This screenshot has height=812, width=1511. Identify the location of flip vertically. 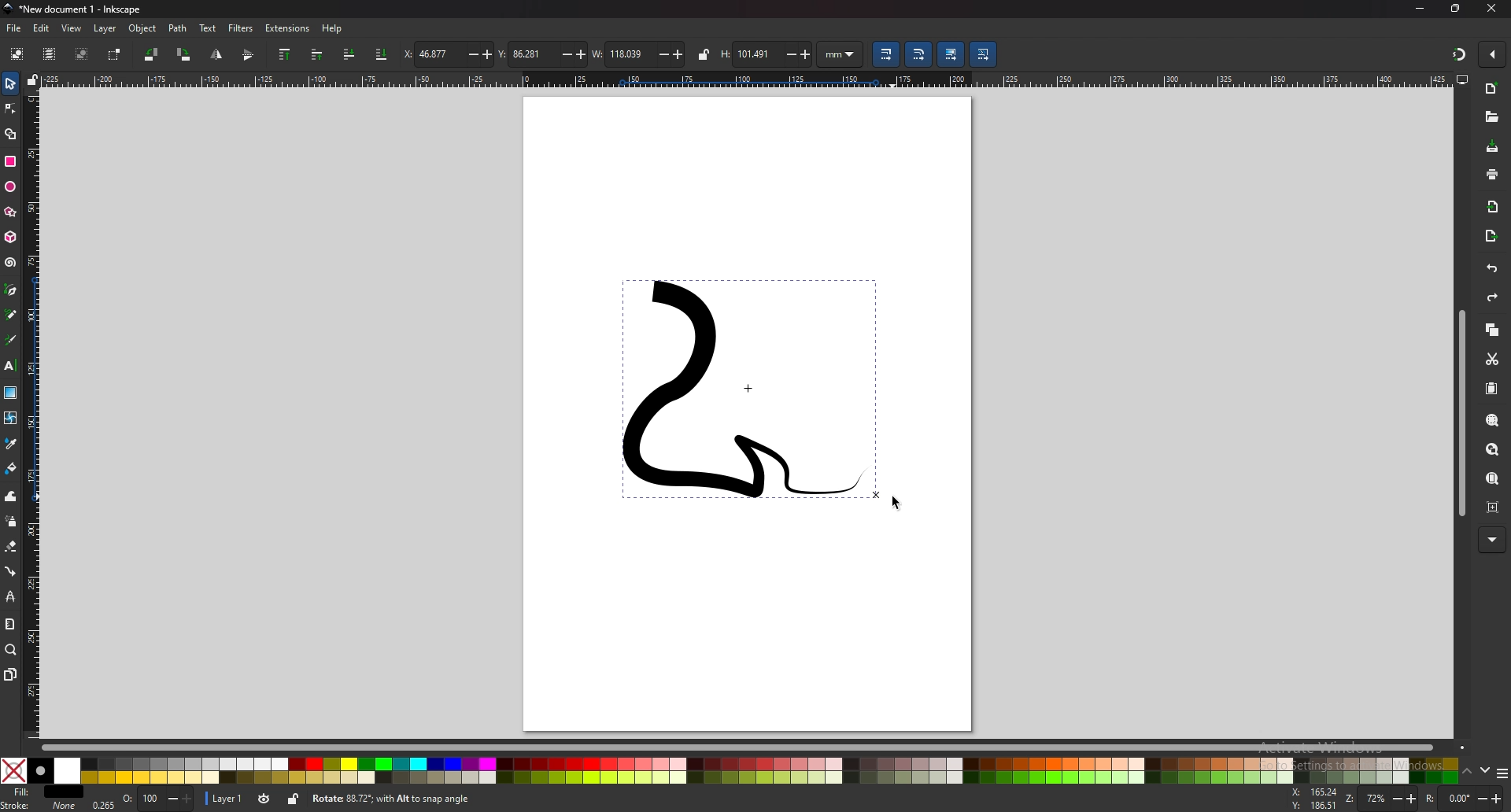
(216, 55).